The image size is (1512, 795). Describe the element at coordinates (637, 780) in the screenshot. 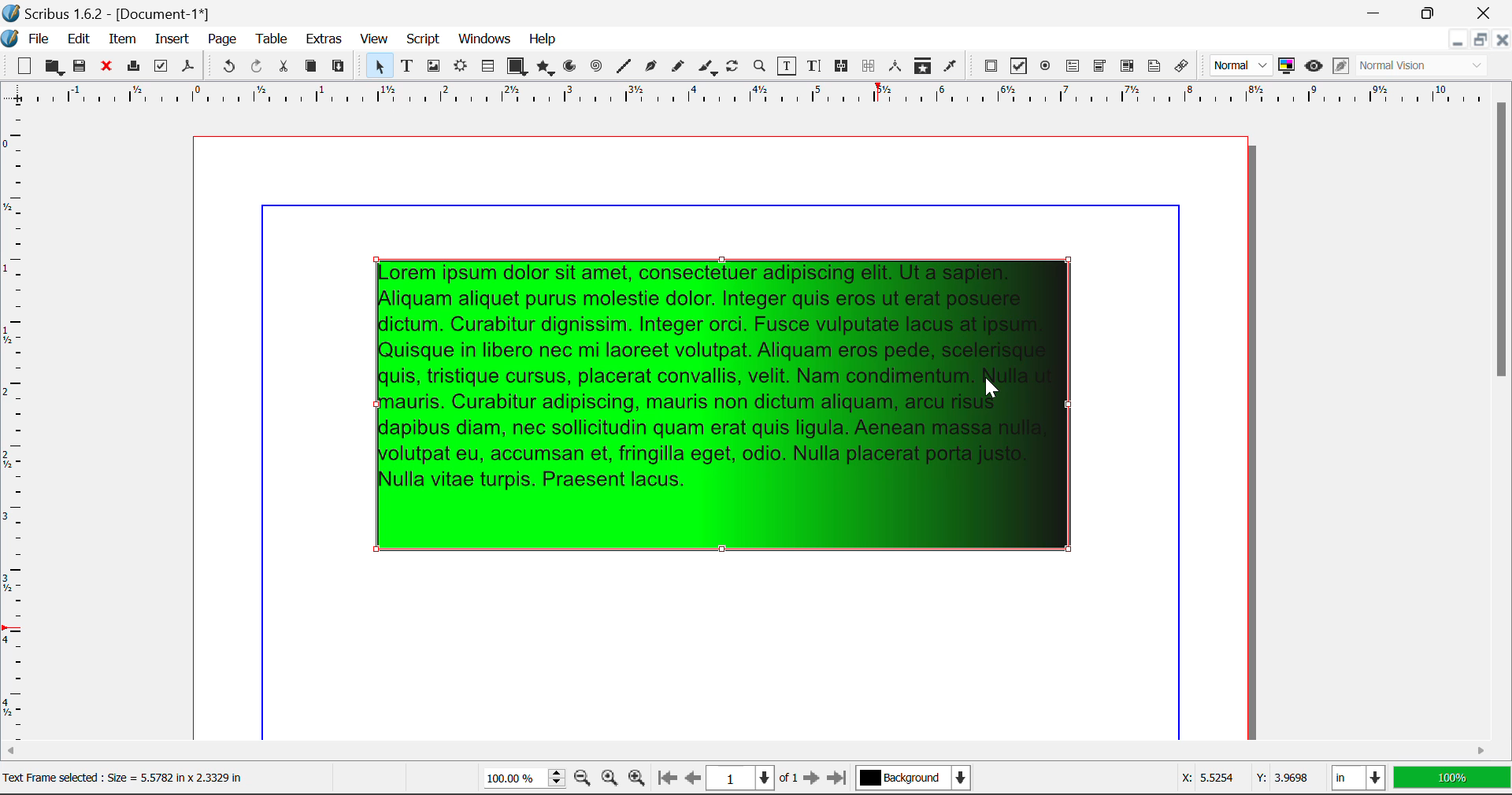

I see `Zoom In` at that location.